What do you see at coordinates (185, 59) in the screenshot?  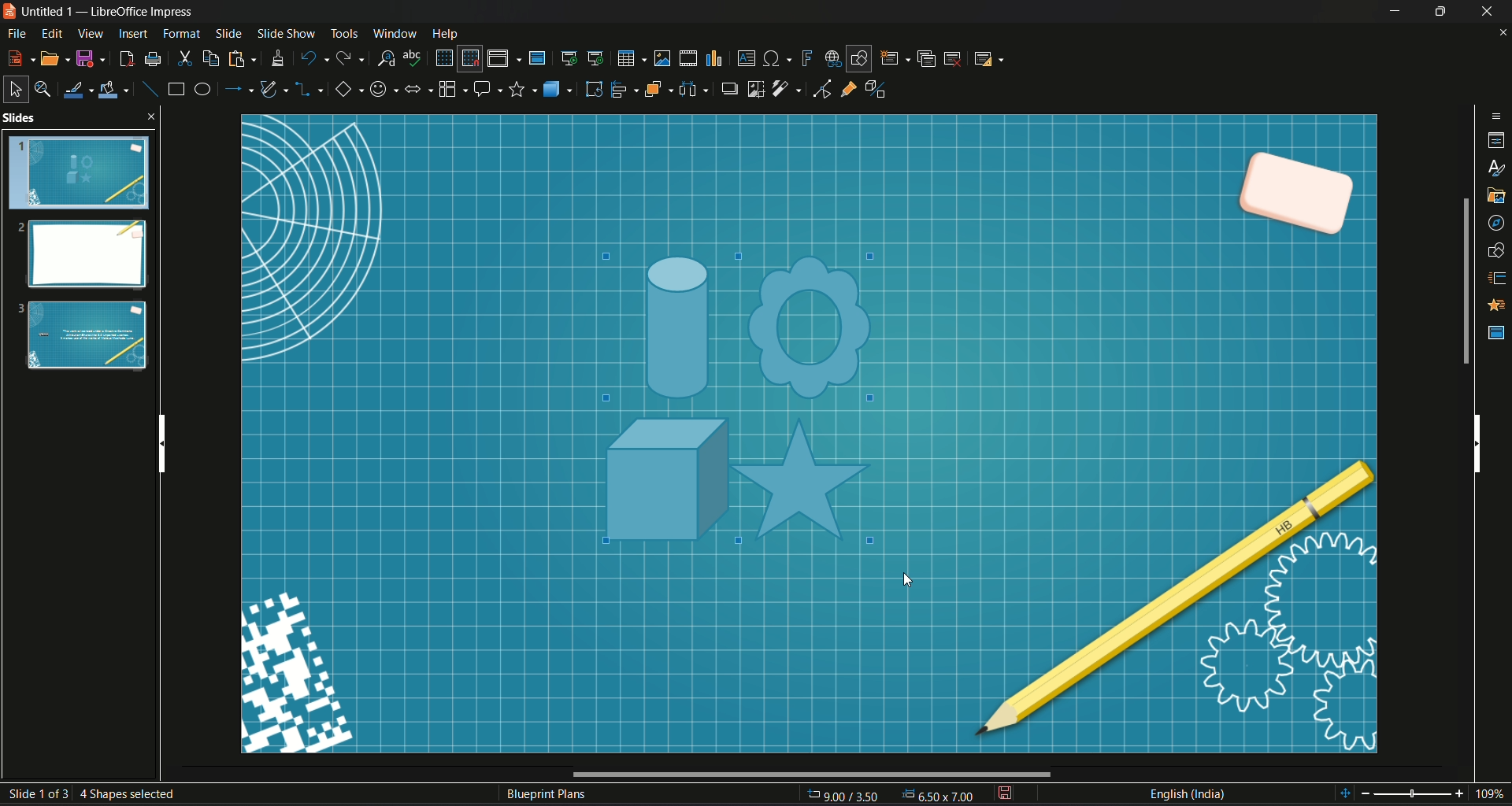 I see `cut` at bounding box center [185, 59].